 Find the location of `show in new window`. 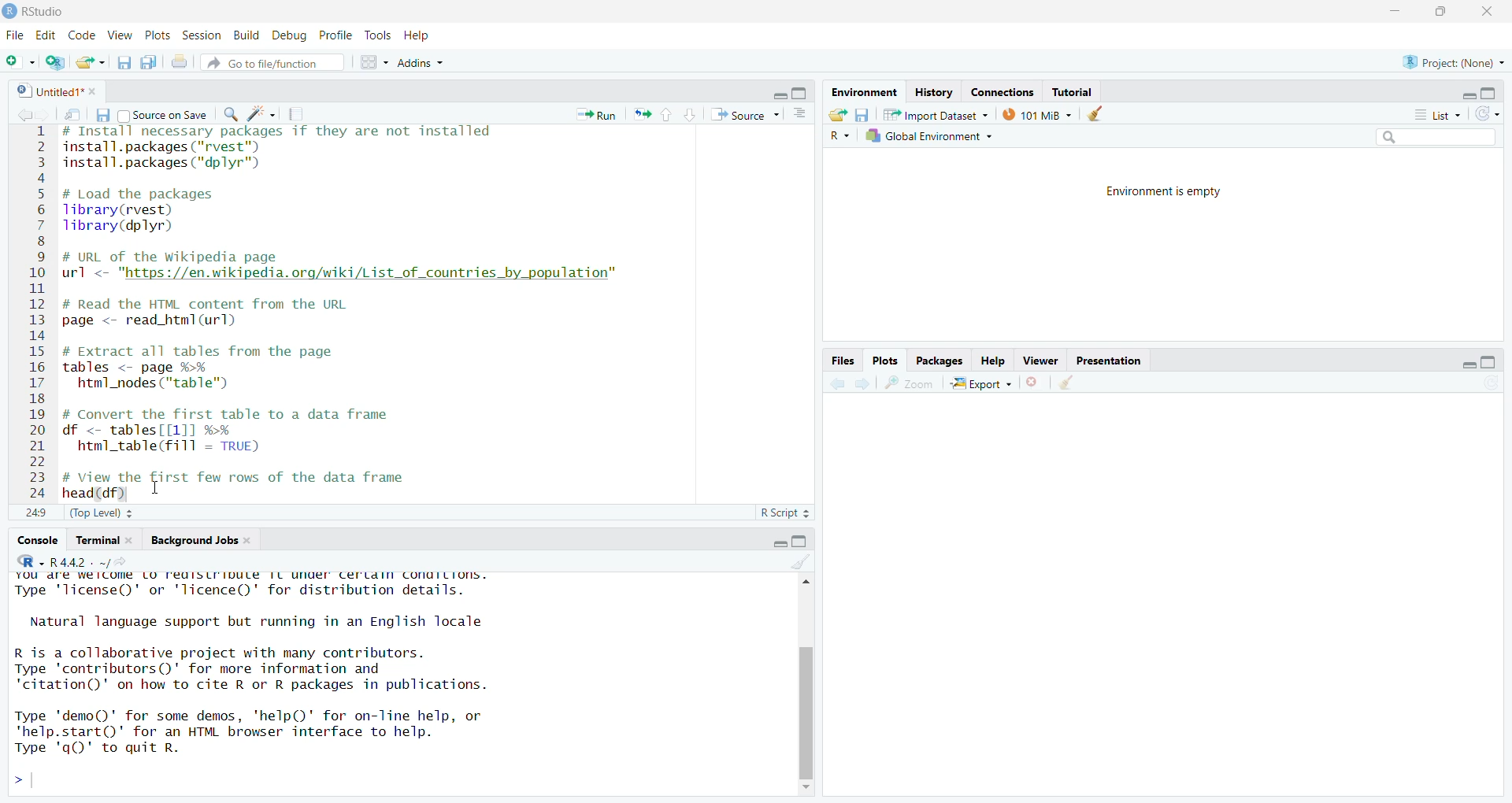

show in new window is located at coordinates (72, 114).